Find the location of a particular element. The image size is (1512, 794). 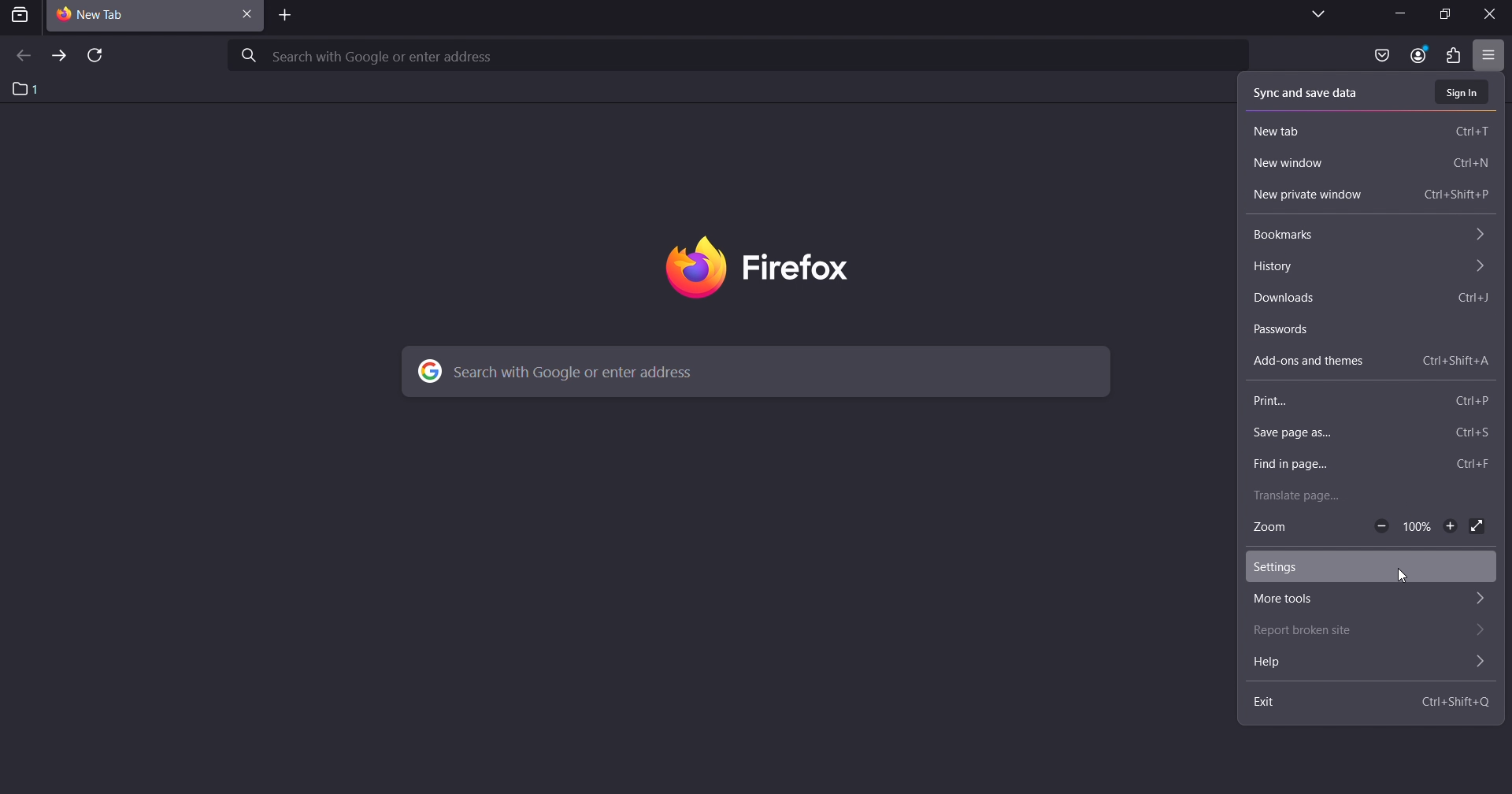

new tab is located at coordinates (1372, 128).